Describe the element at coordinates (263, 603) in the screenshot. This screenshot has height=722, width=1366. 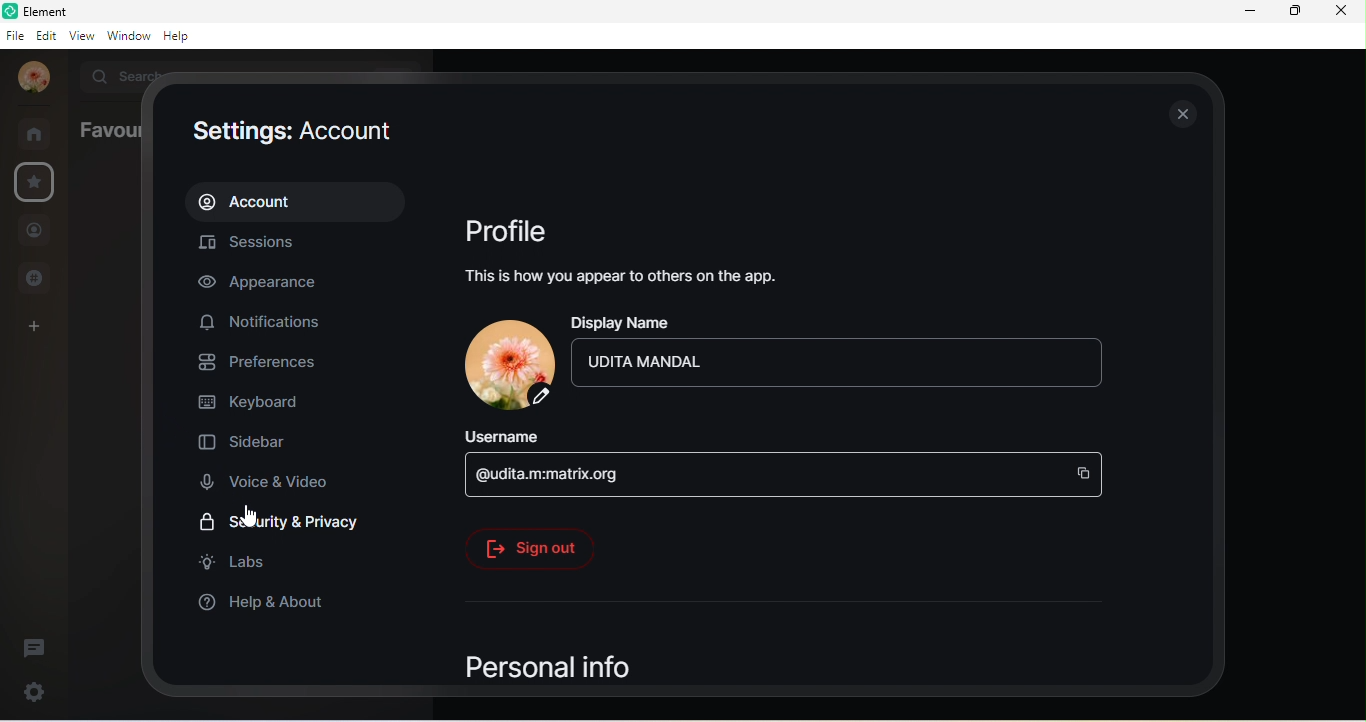
I see `help and about` at that location.